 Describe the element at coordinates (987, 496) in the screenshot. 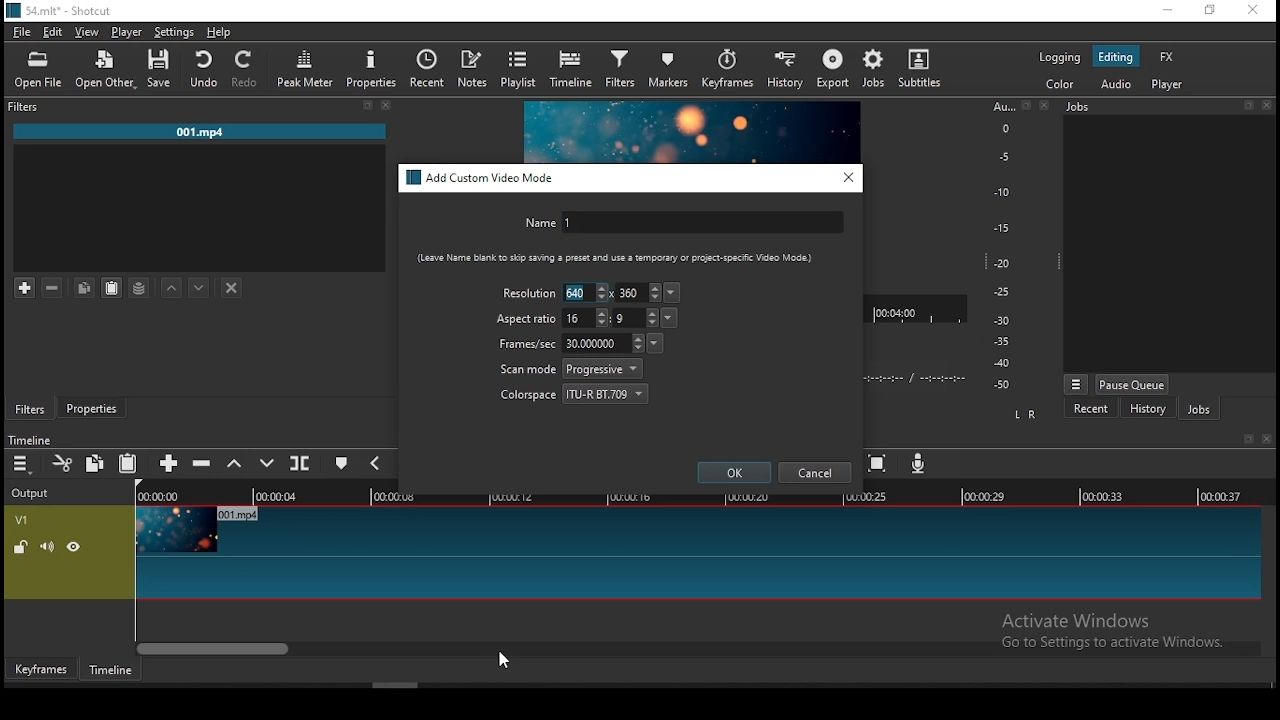

I see `00:00:29` at that location.